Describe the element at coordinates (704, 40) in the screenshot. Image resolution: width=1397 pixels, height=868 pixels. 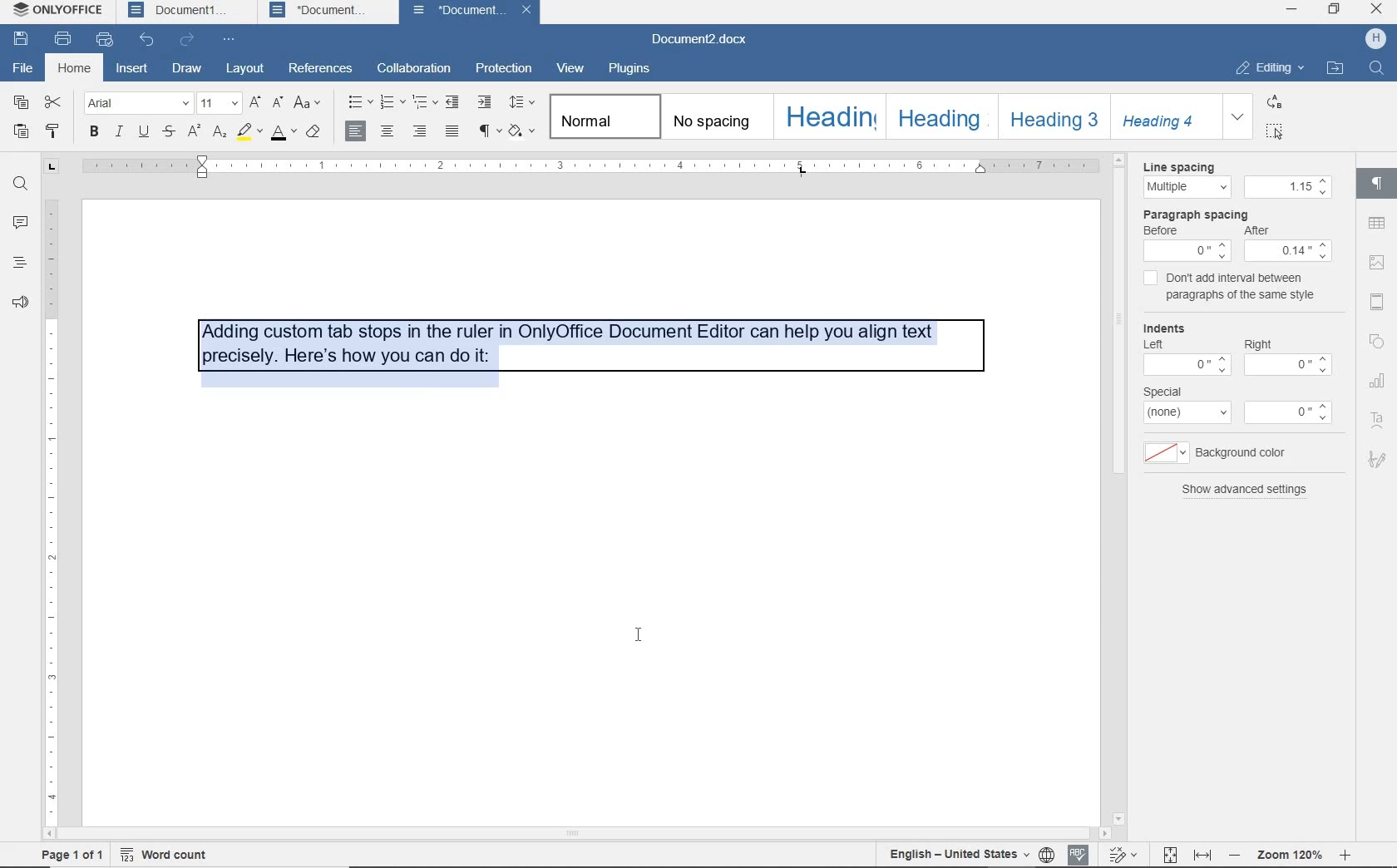
I see `document name` at that location.